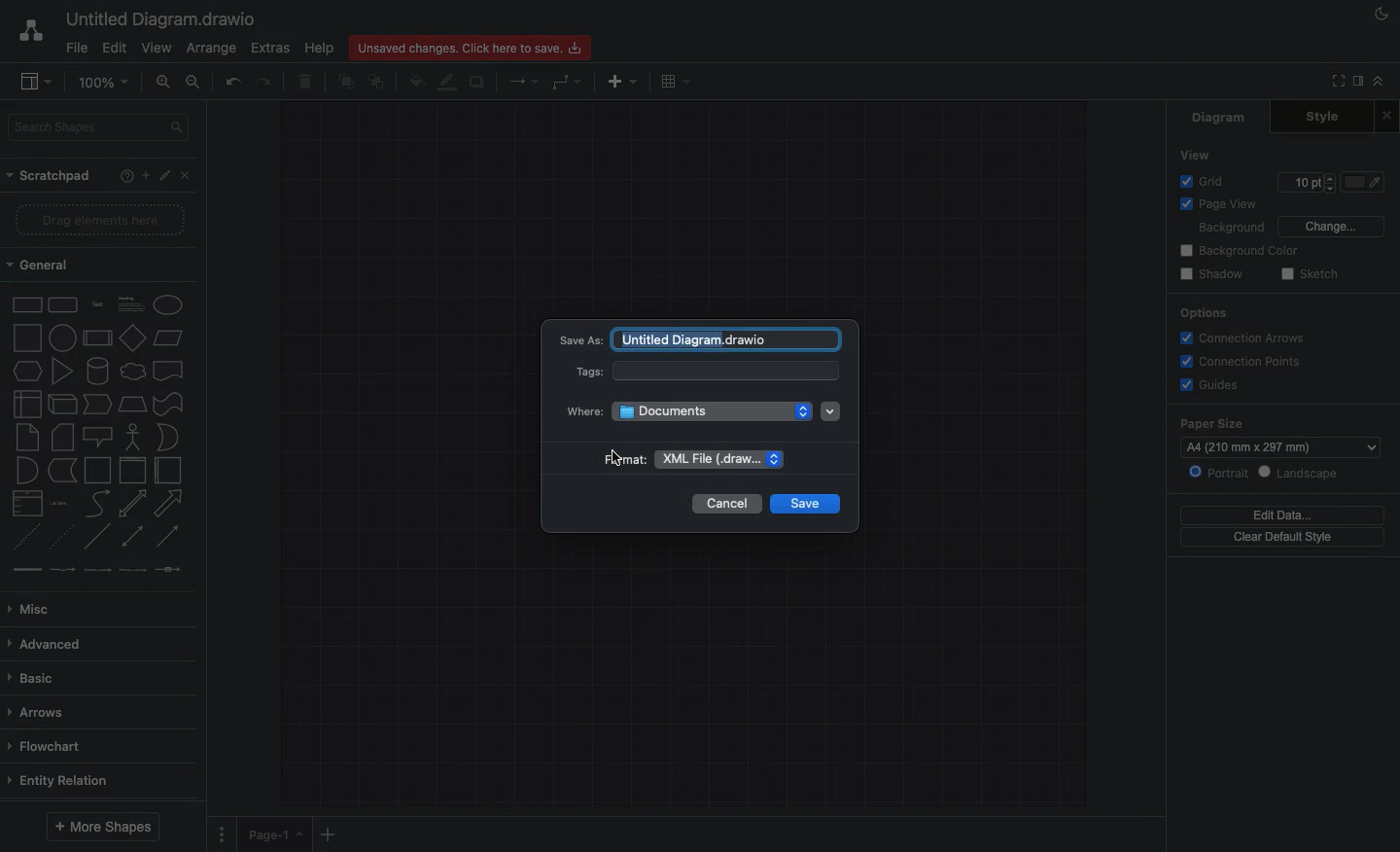  What do you see at coordinates (1219, 474) in the screenshot?
I see `Portrait ` at bounding box center [1219, 474].